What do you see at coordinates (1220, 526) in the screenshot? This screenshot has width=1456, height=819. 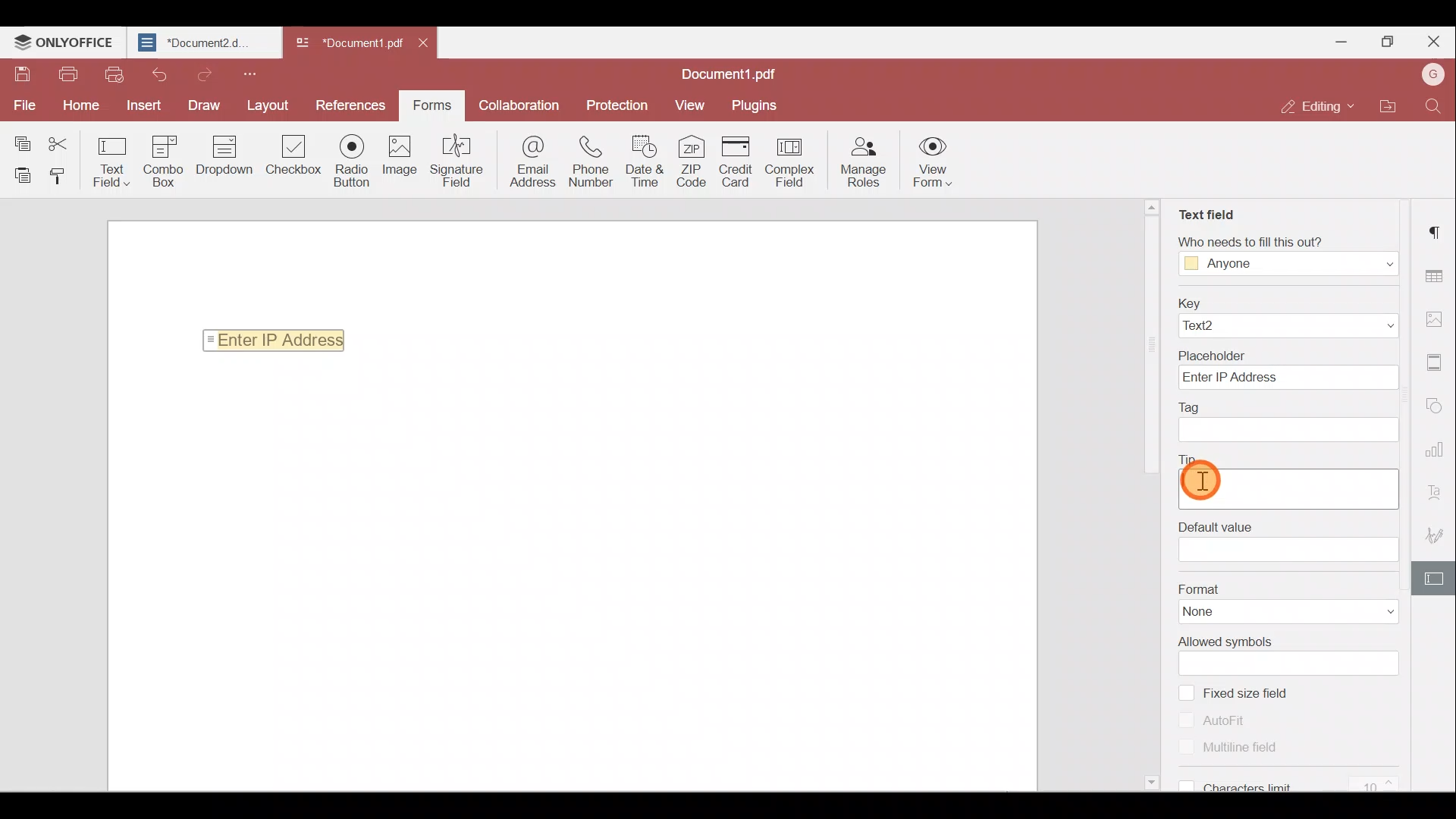 I see `tip filed` at bounding box center [1220, 526].